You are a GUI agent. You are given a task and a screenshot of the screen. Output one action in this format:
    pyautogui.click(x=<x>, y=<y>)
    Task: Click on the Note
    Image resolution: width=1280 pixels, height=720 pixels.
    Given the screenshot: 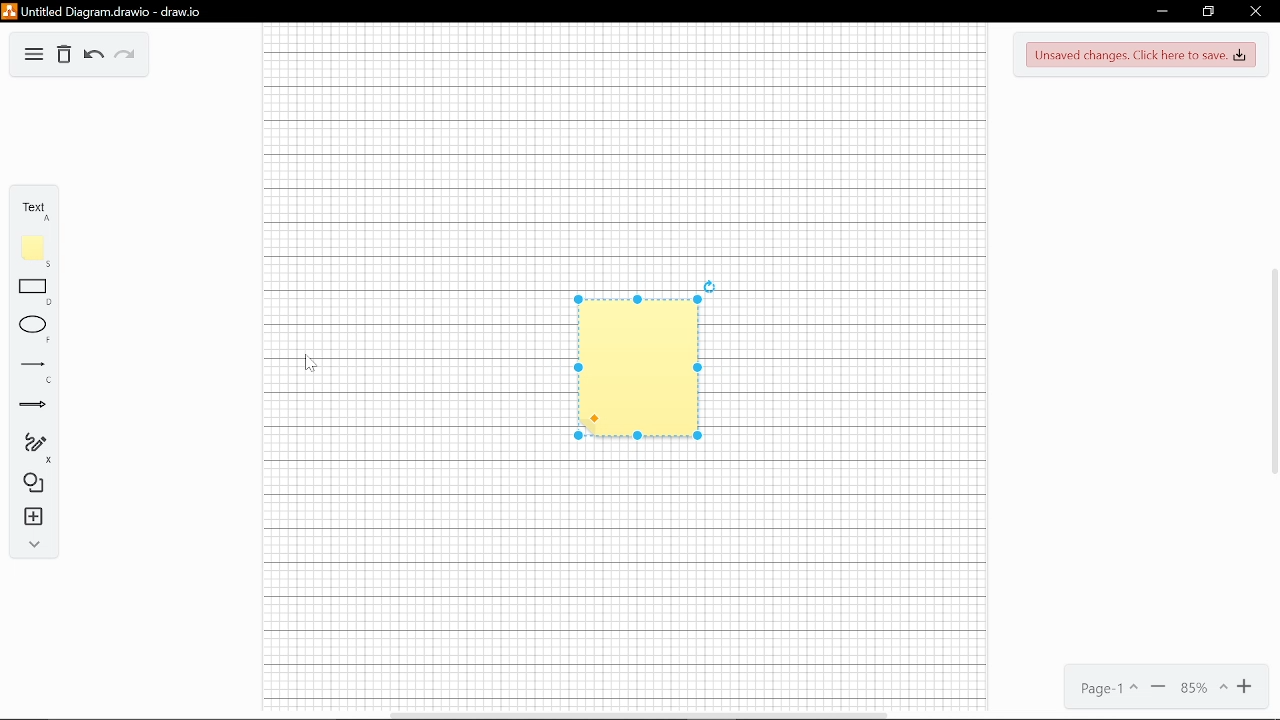 What is the action you would take?
    pyautogui.click(x=28, y=246)
    